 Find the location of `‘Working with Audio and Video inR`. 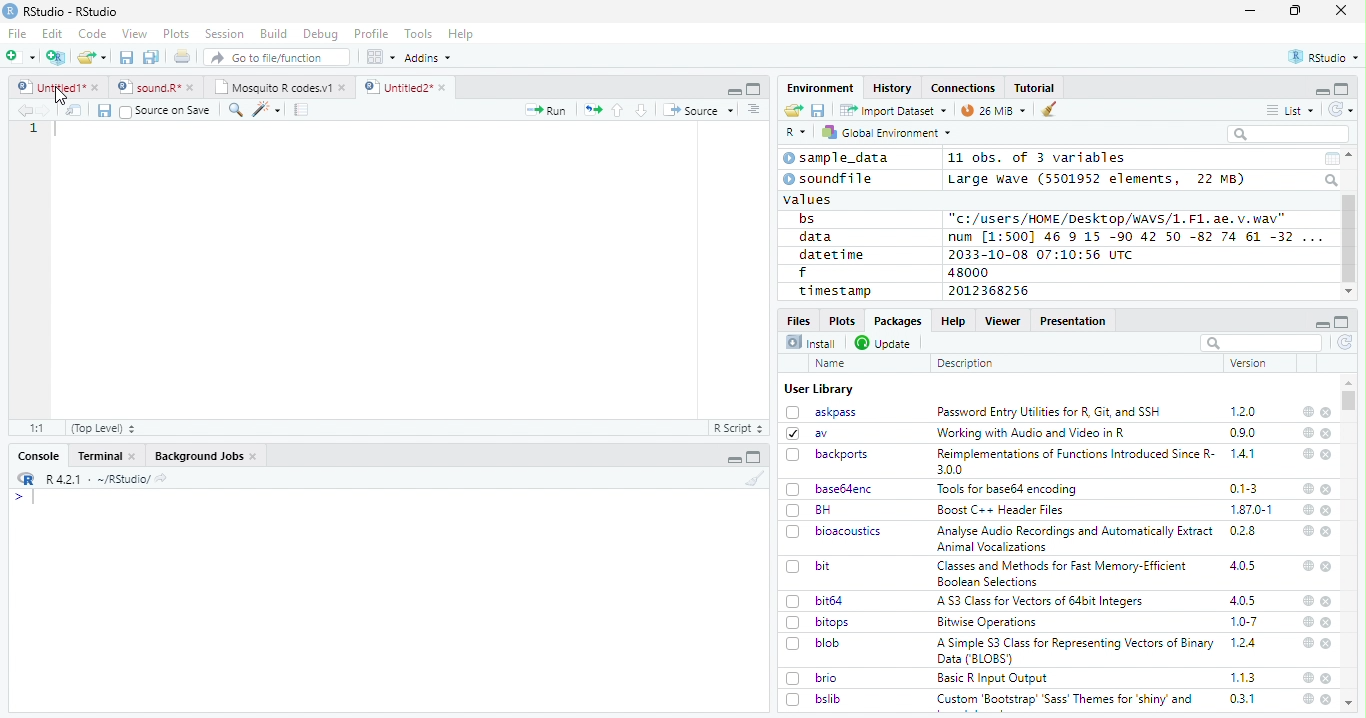

‘Working with Audio and Video inR is located at coordinates (1033, 433).